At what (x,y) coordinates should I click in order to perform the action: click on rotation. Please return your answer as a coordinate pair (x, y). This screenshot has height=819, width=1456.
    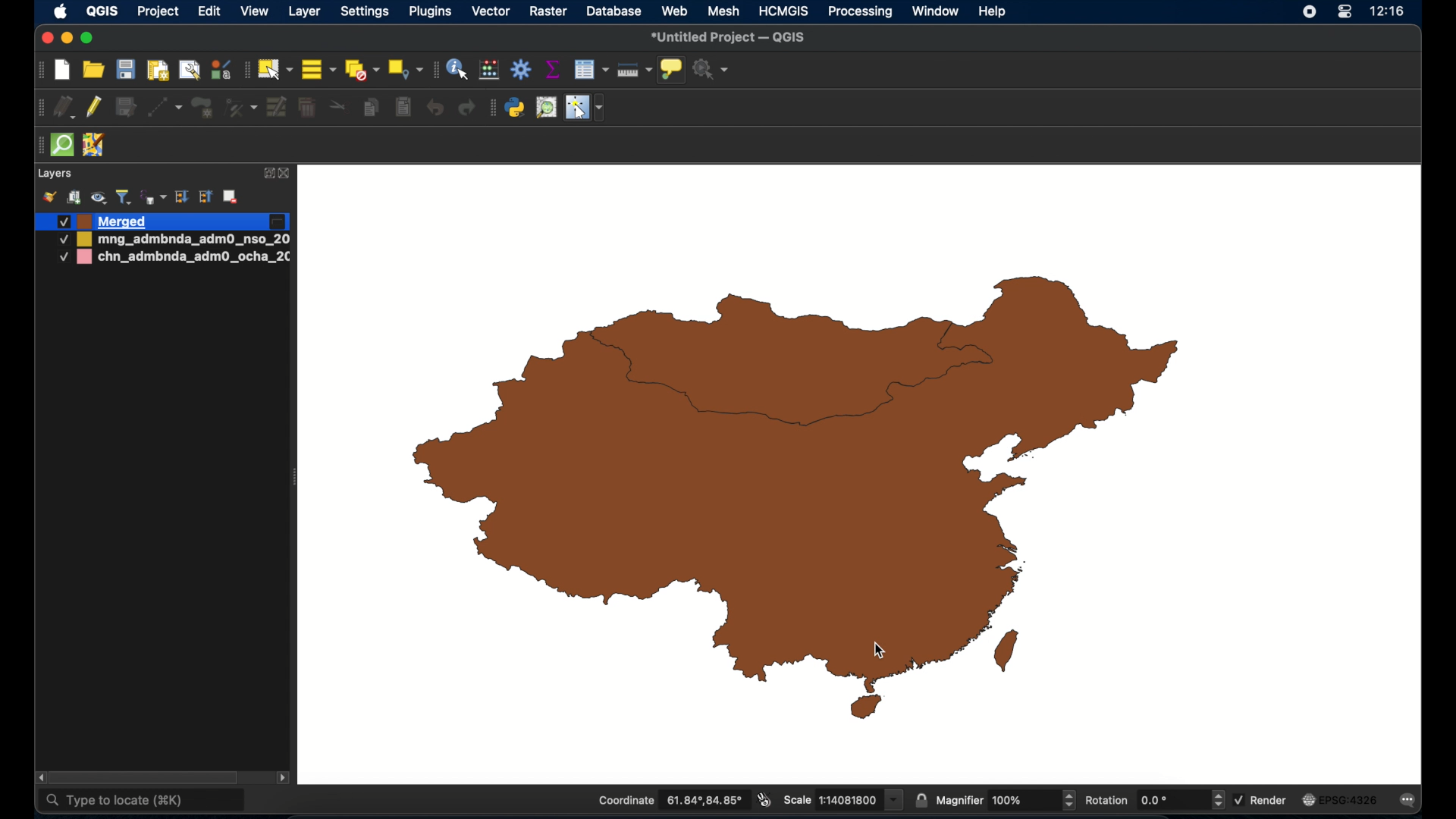
    Looking at the image, I should click on (1153, 801).